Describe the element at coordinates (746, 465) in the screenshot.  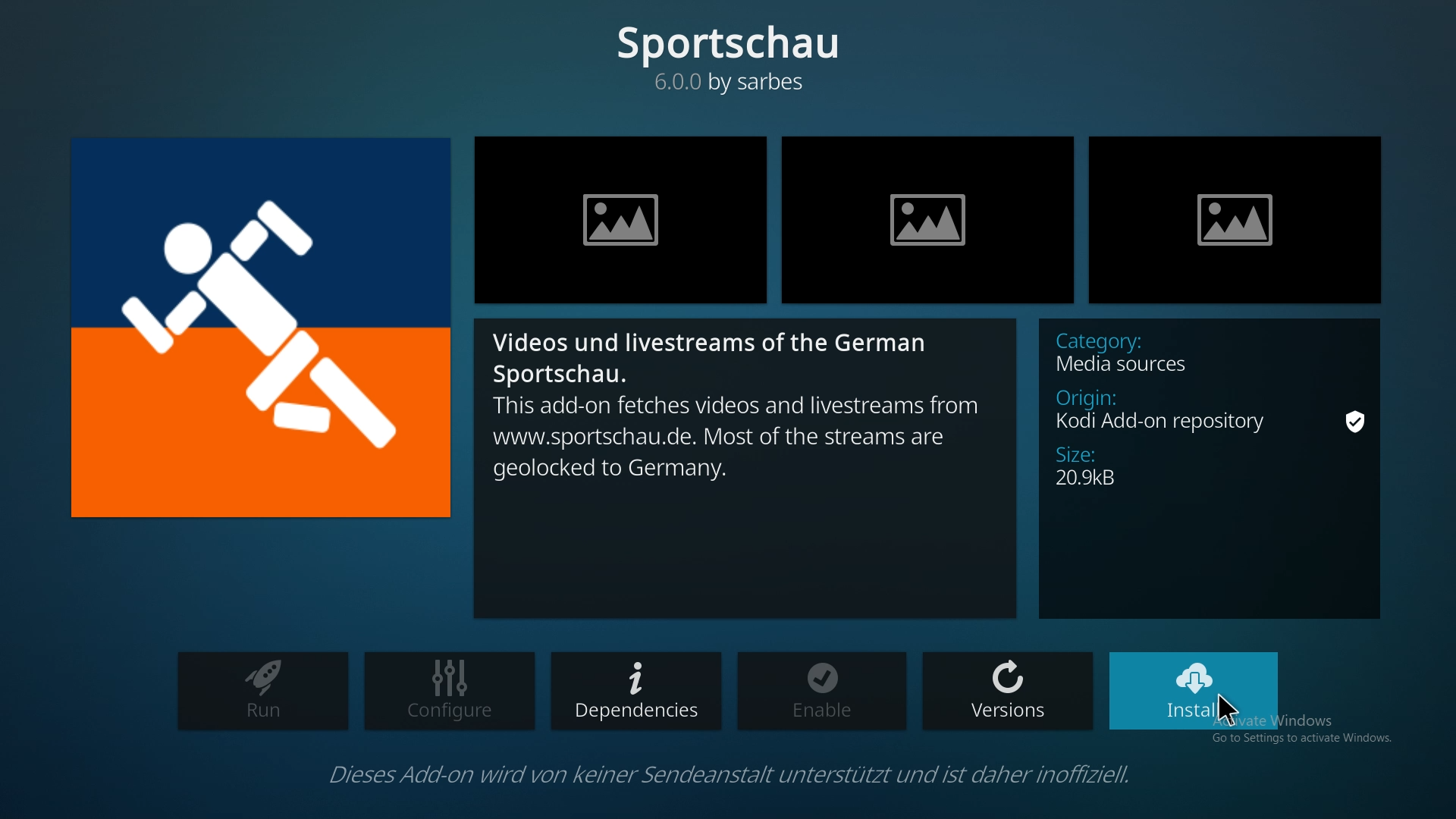
I see `info` at that location.